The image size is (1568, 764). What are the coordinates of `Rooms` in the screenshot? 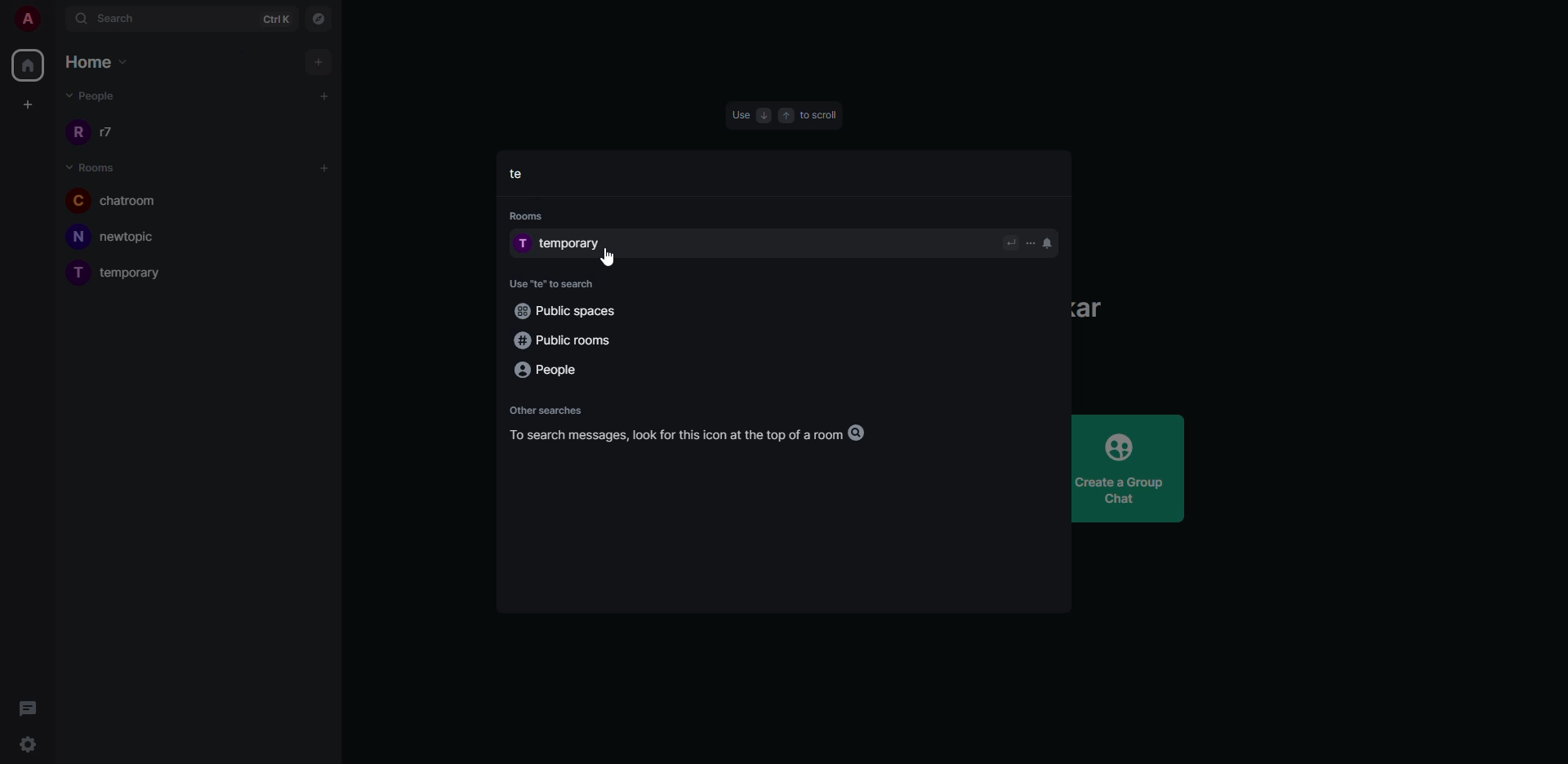 It's located at (528, 216).